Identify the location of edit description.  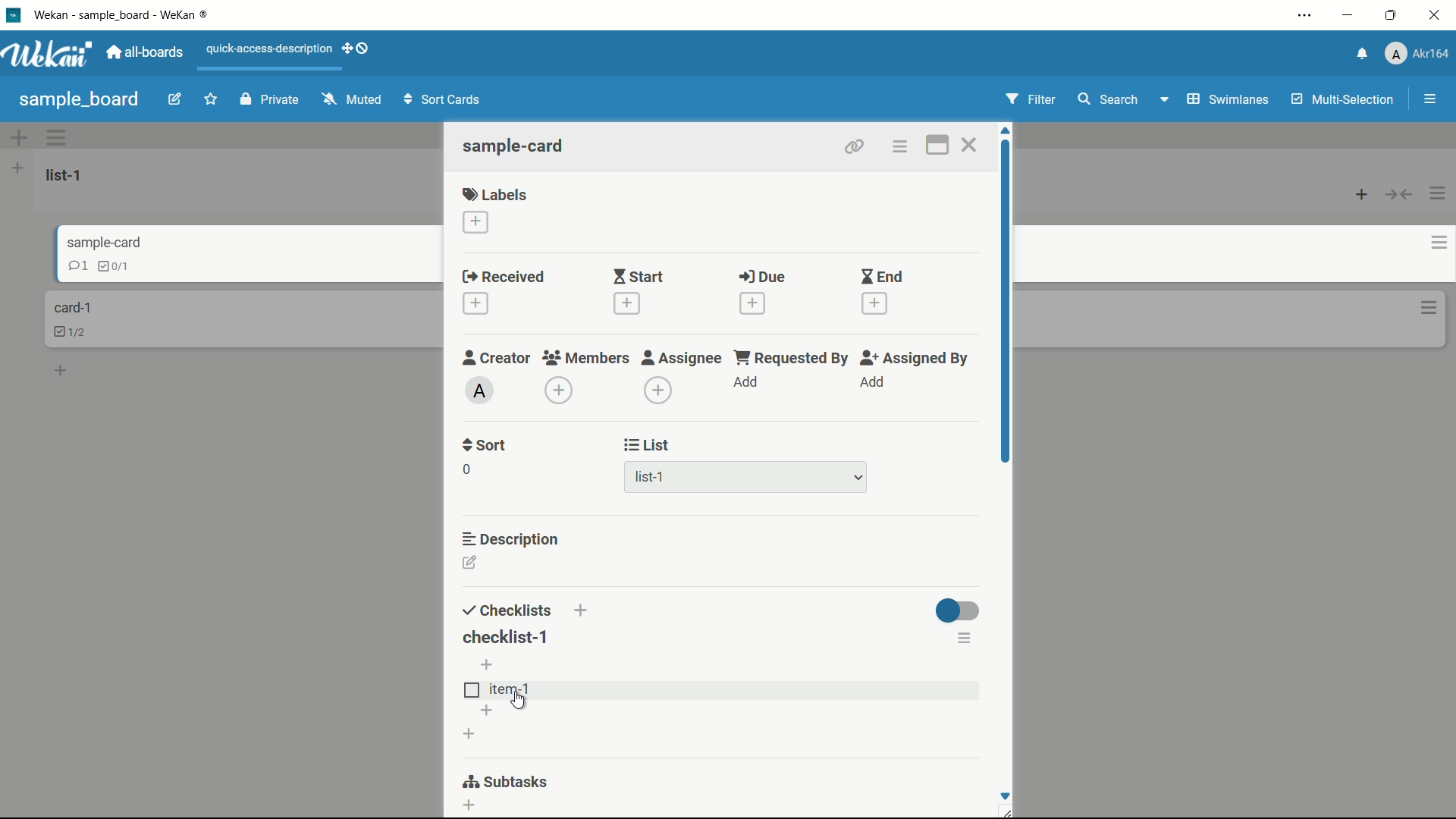
(471, 562).